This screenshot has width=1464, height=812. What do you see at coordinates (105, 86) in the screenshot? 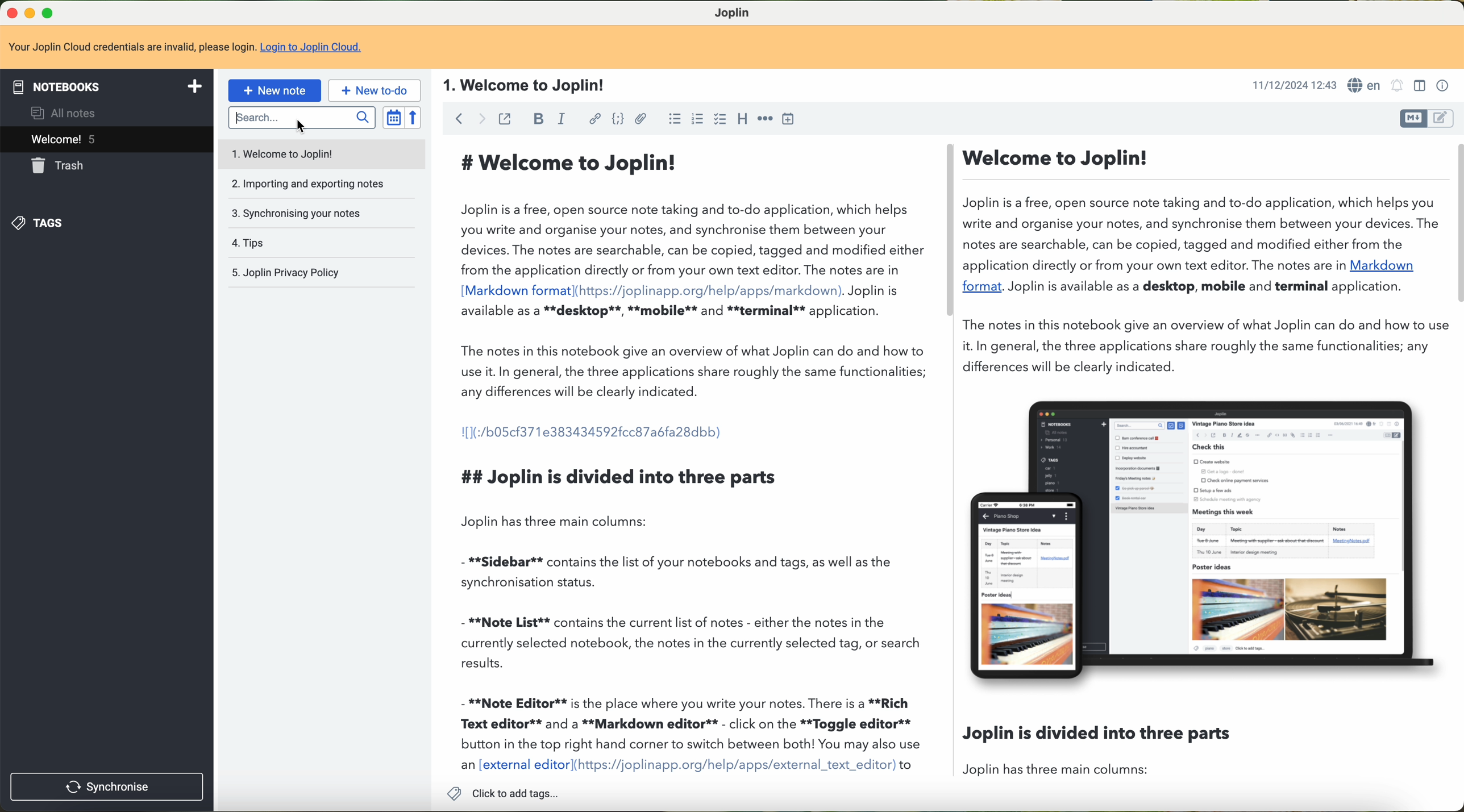
I see `notebooks` at bounding box center [105, 86].